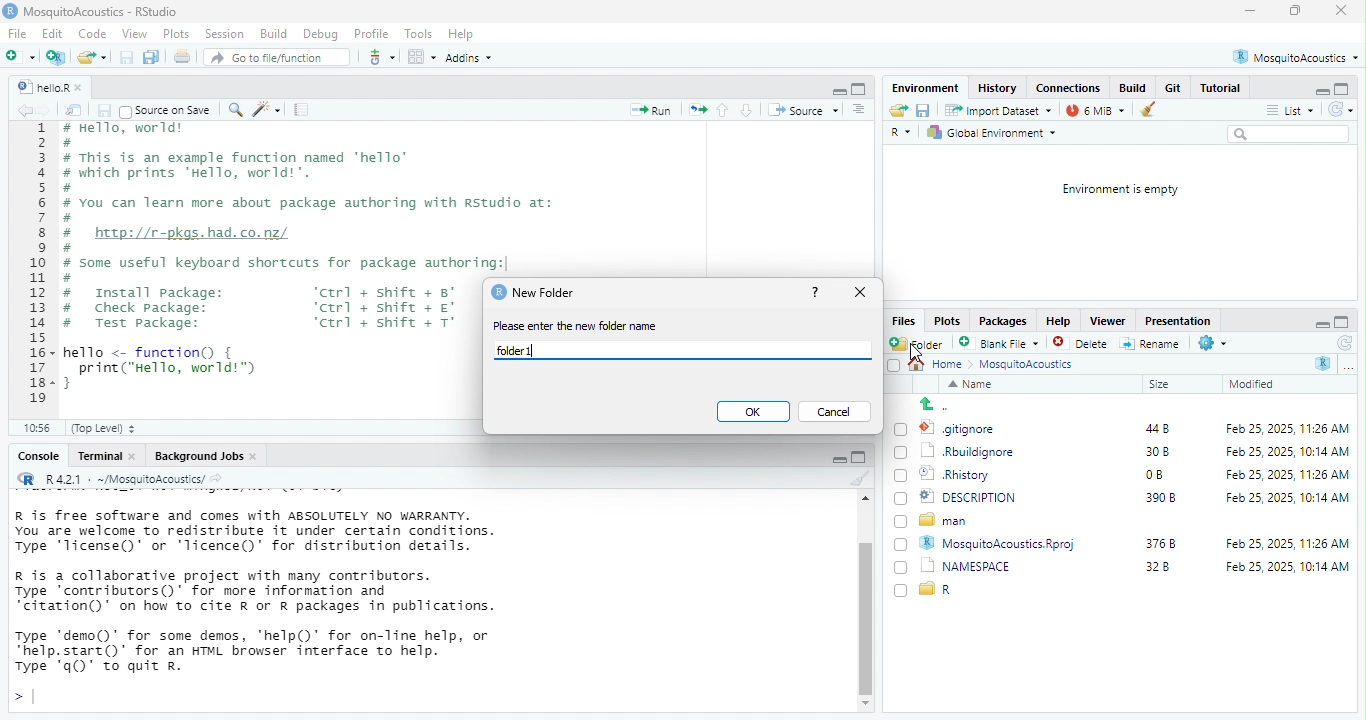 The image size is (1366, 720). I want to click on name, so click(972, 385).